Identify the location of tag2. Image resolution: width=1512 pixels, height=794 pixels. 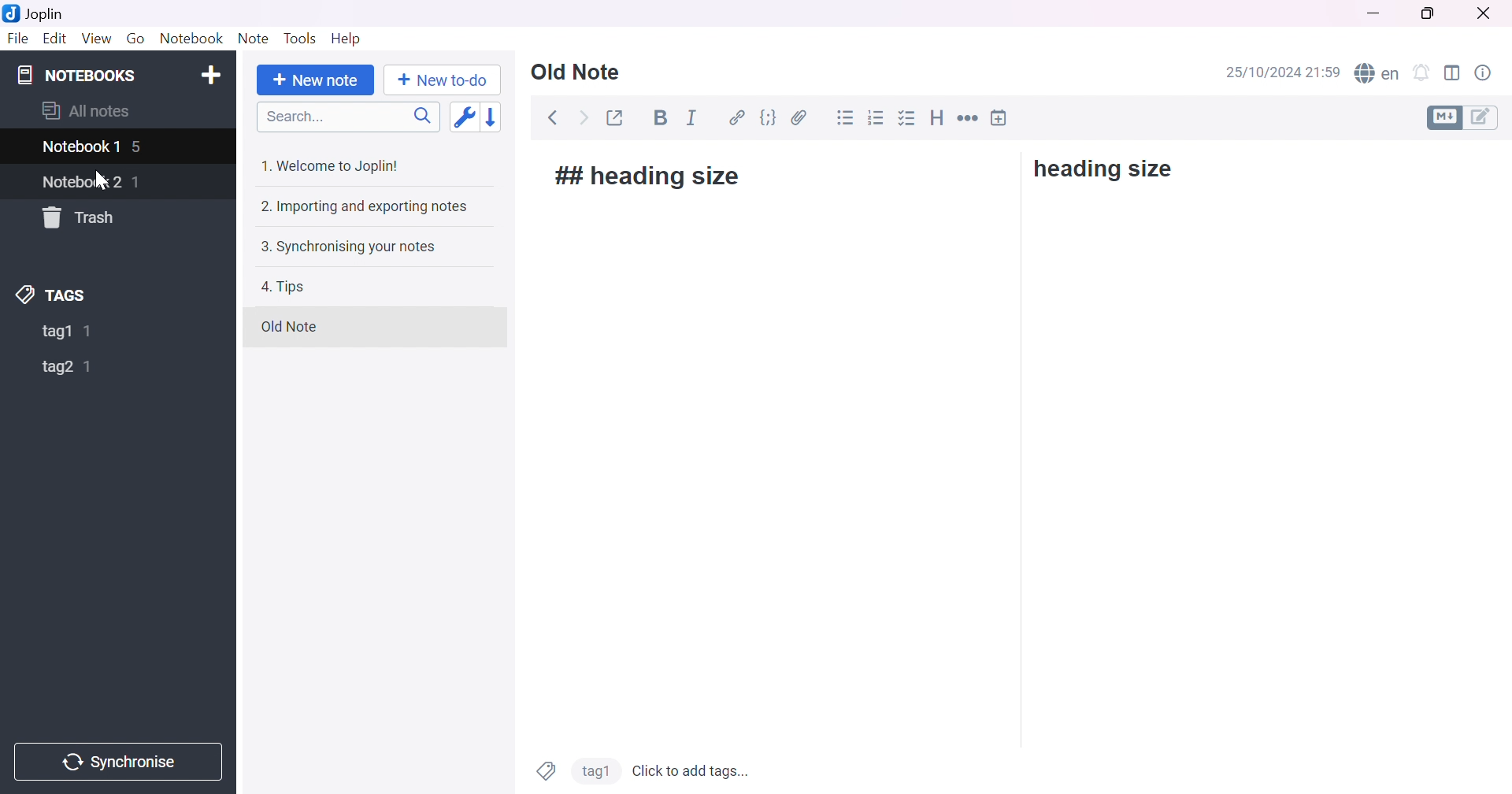
(595, 770).